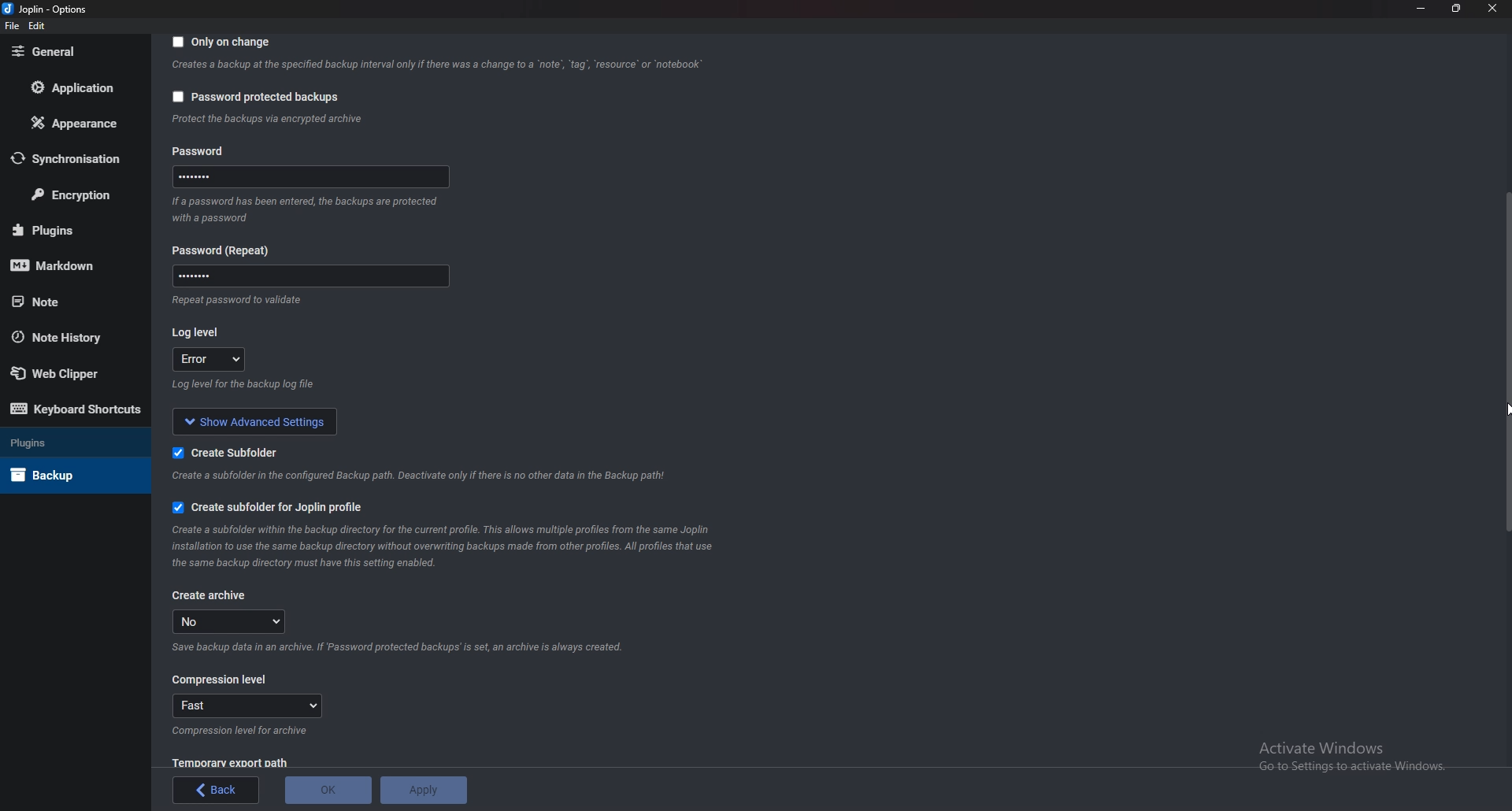  Describe the element at coordinates (38, 26) in the screenshot. I see `Edit` at that location.